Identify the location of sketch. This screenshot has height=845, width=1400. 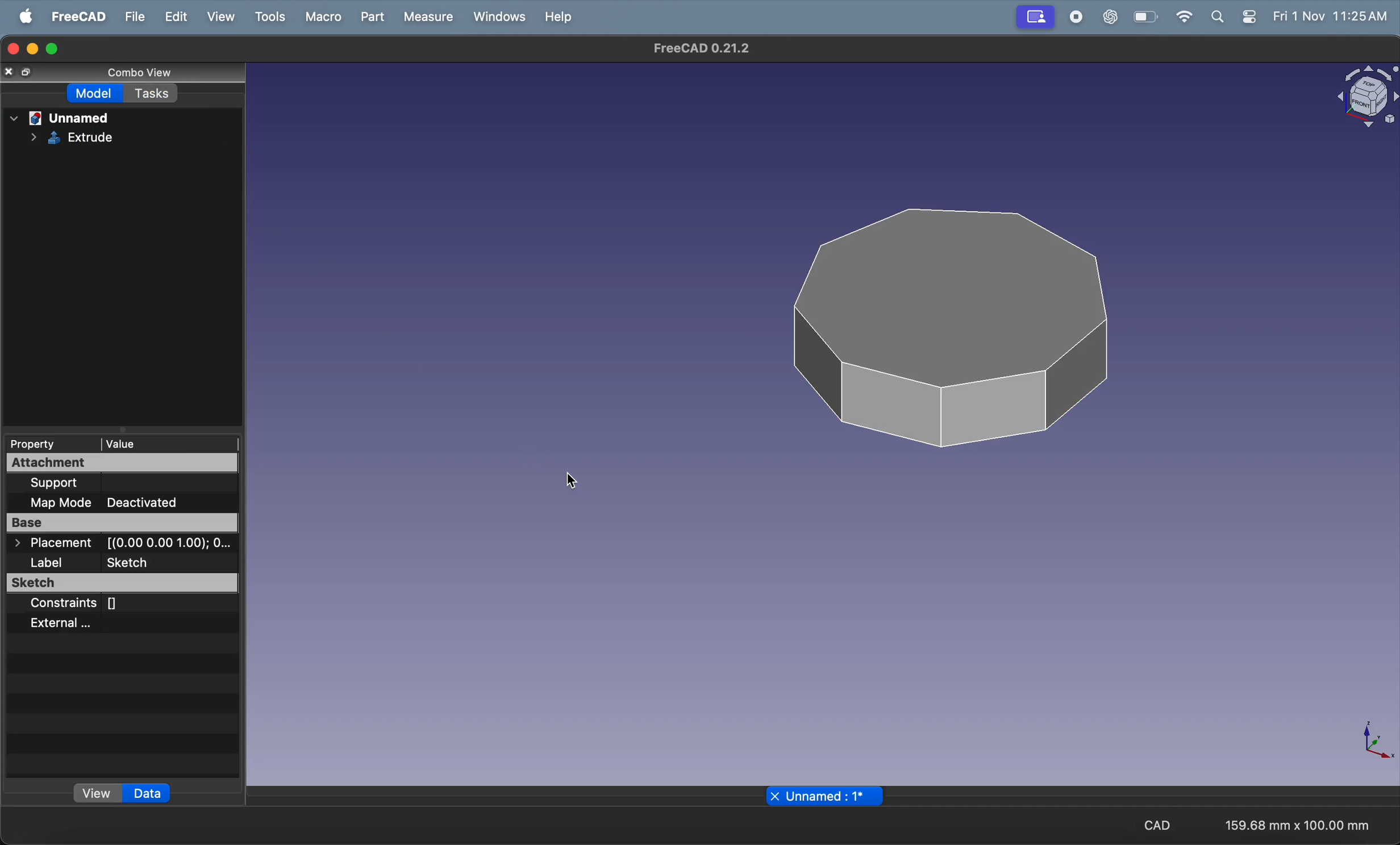
(124, 583).